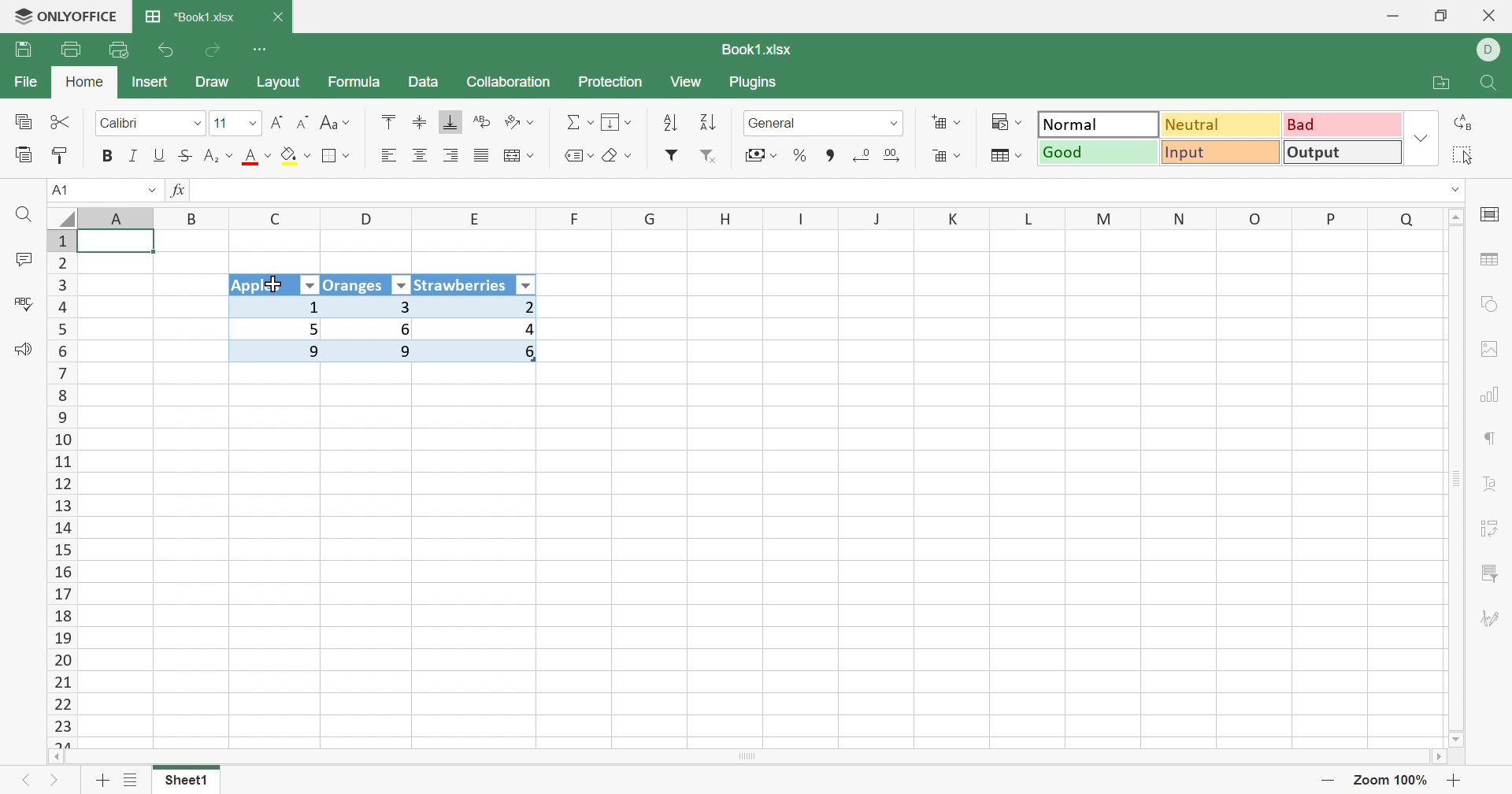  Describe the element at coordinates (1340, 124) in the screenshot. I see `Bad` at that location.